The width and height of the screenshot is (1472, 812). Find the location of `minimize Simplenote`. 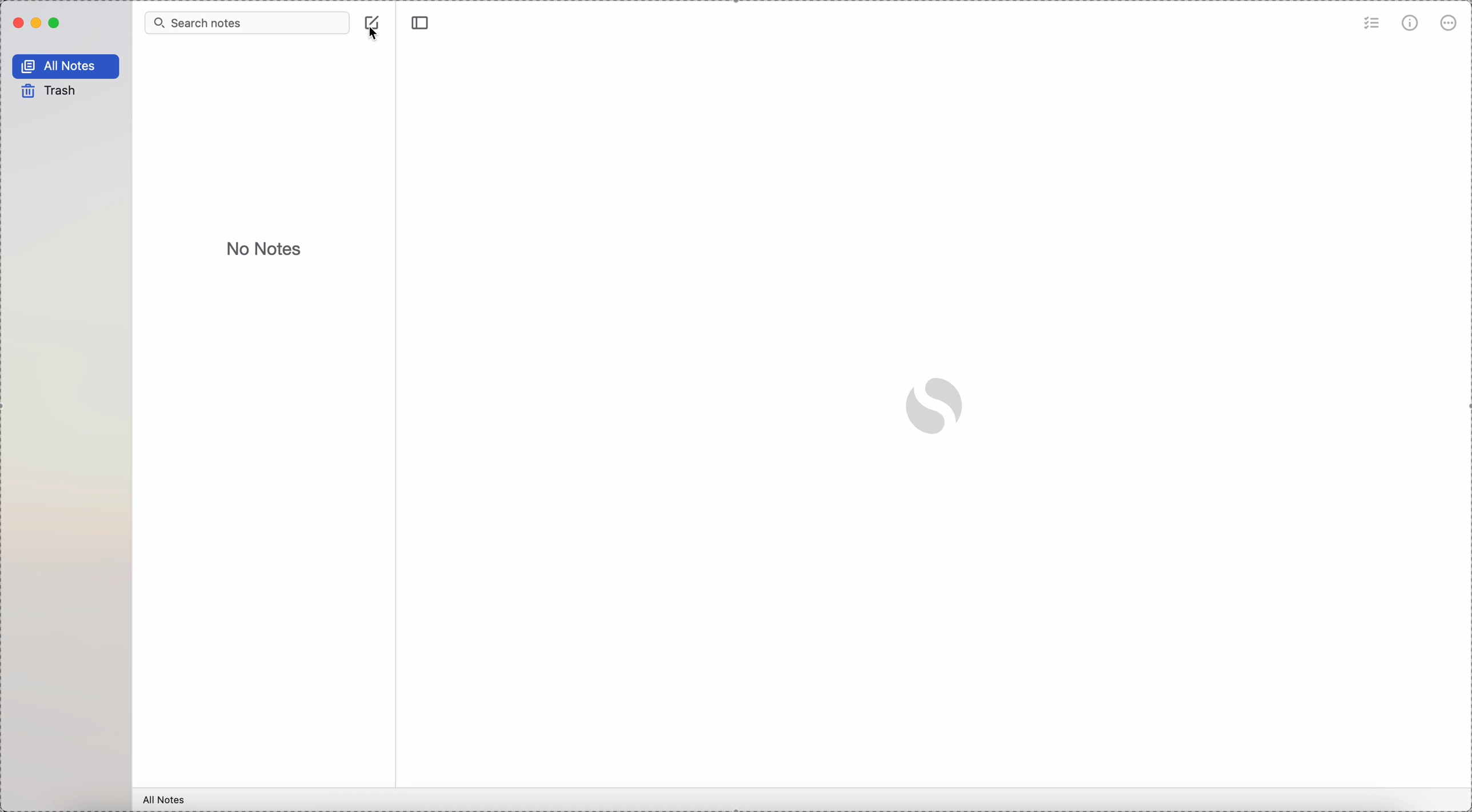

minimize Simplenote is located at coordinates (36, 25).